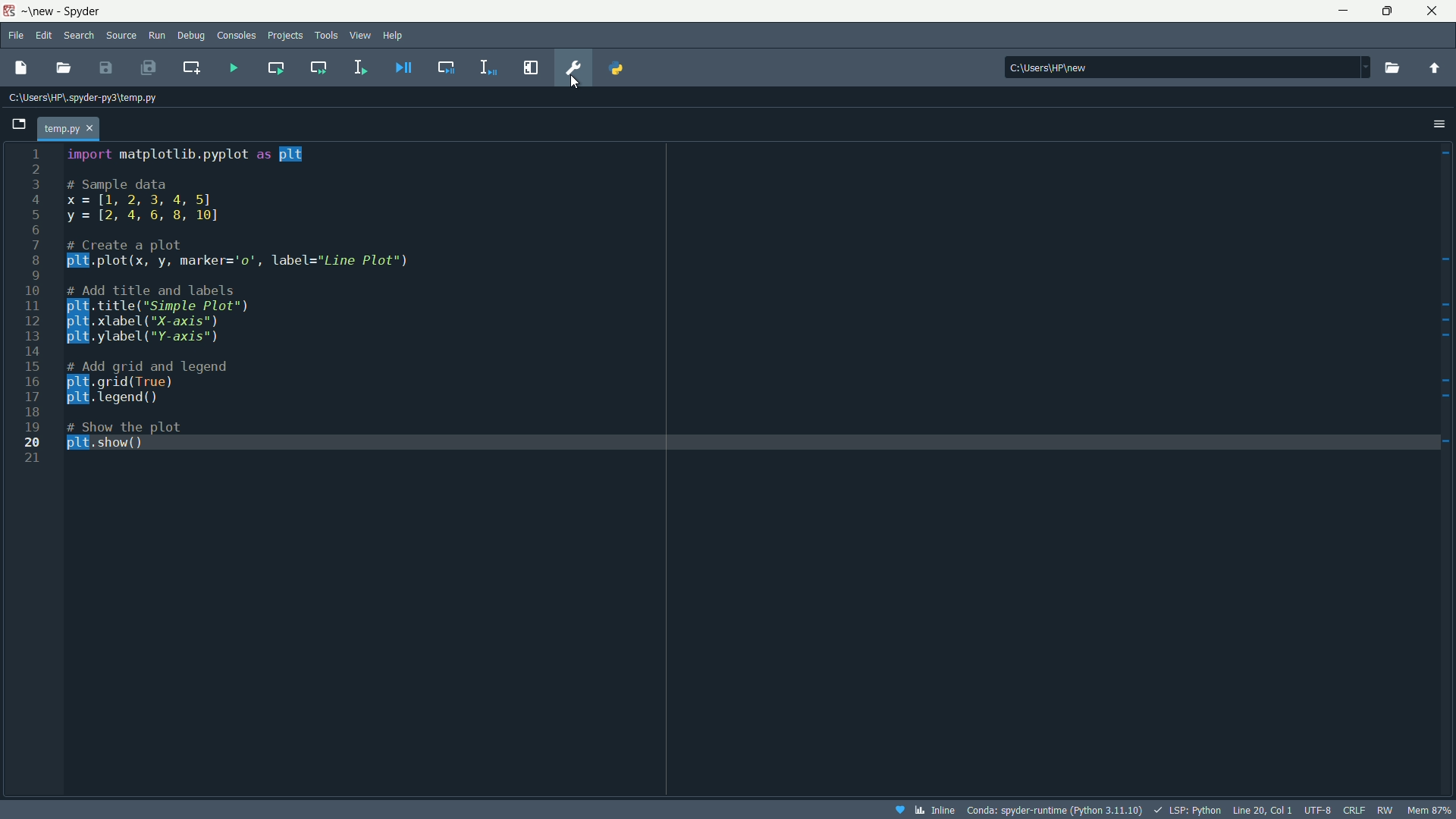  Describe the element at coordinates (361, 35) in the screenshot. I see `view` at that location.